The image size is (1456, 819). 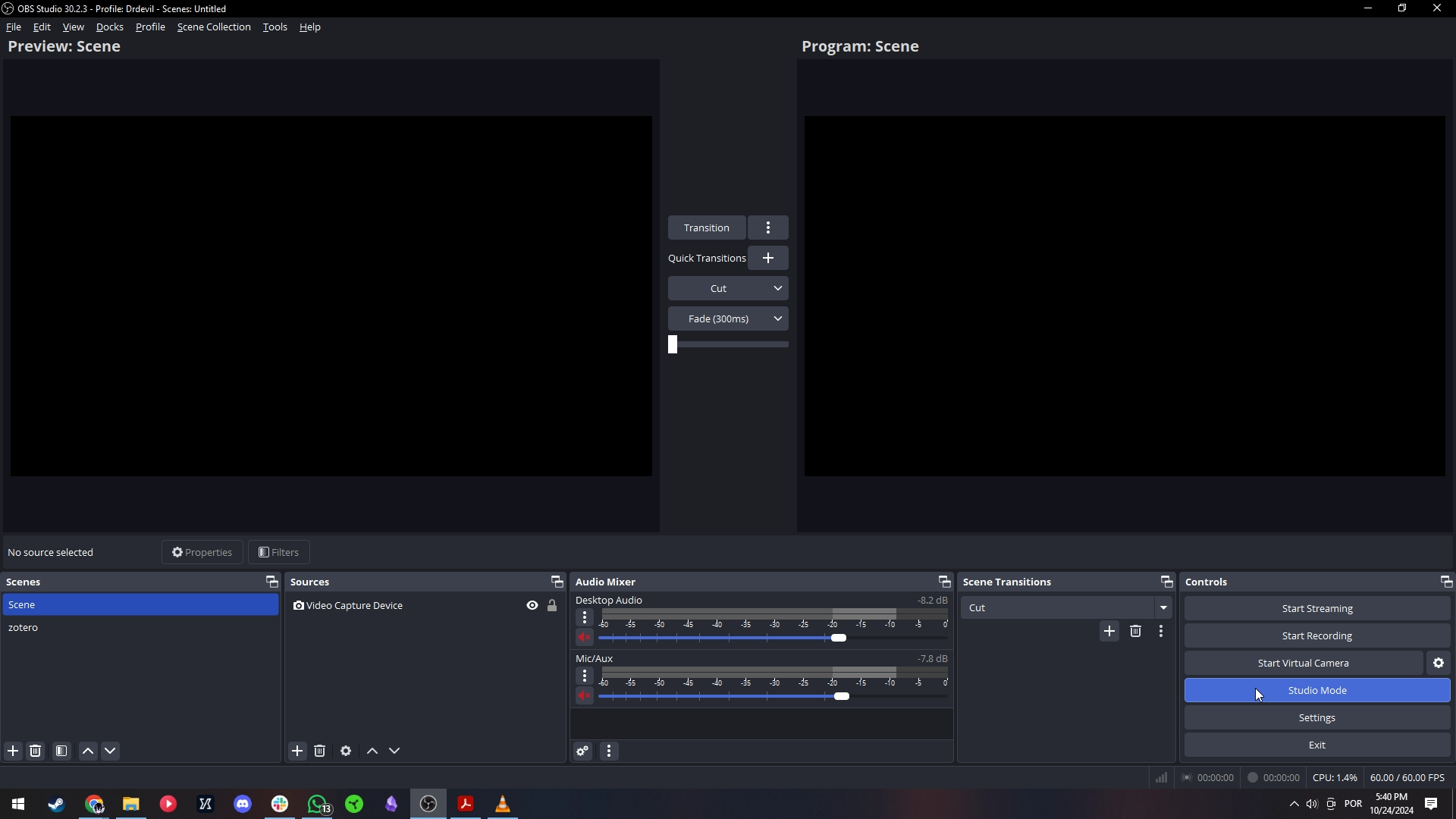 I want to click on show hidden icons, so click(x=1288, y=807).